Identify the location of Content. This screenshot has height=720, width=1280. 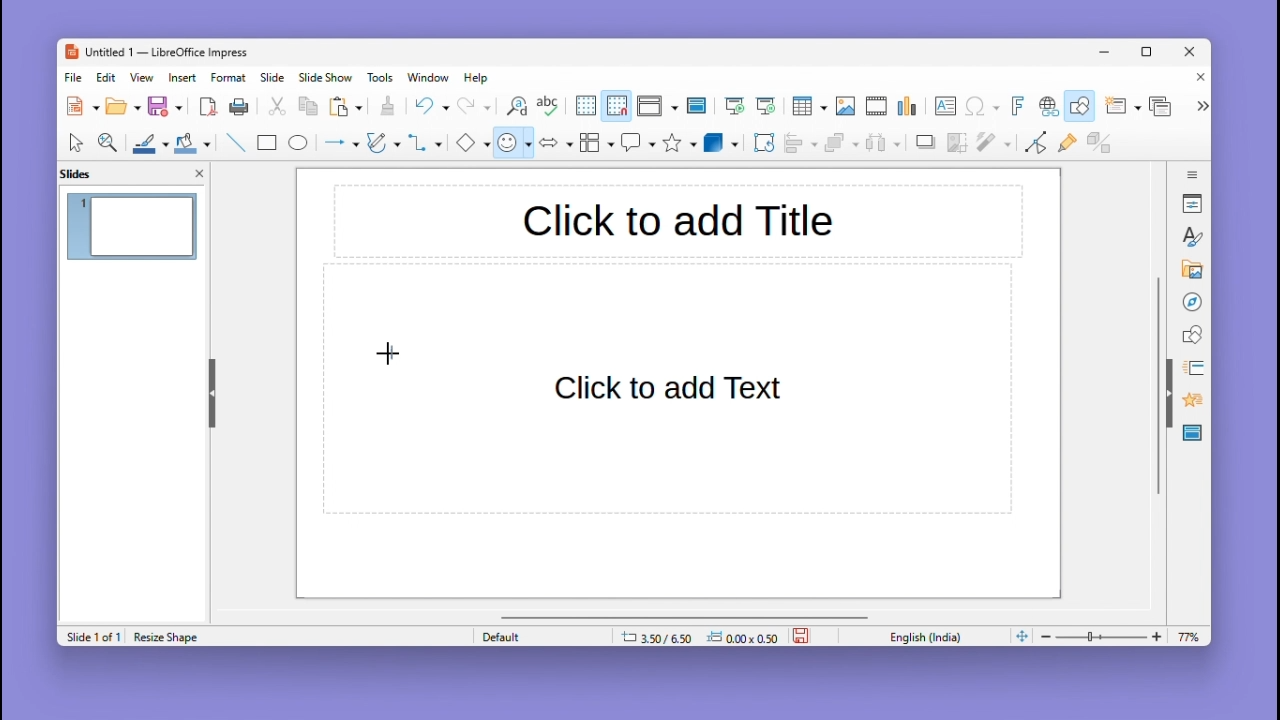
(672, 389).